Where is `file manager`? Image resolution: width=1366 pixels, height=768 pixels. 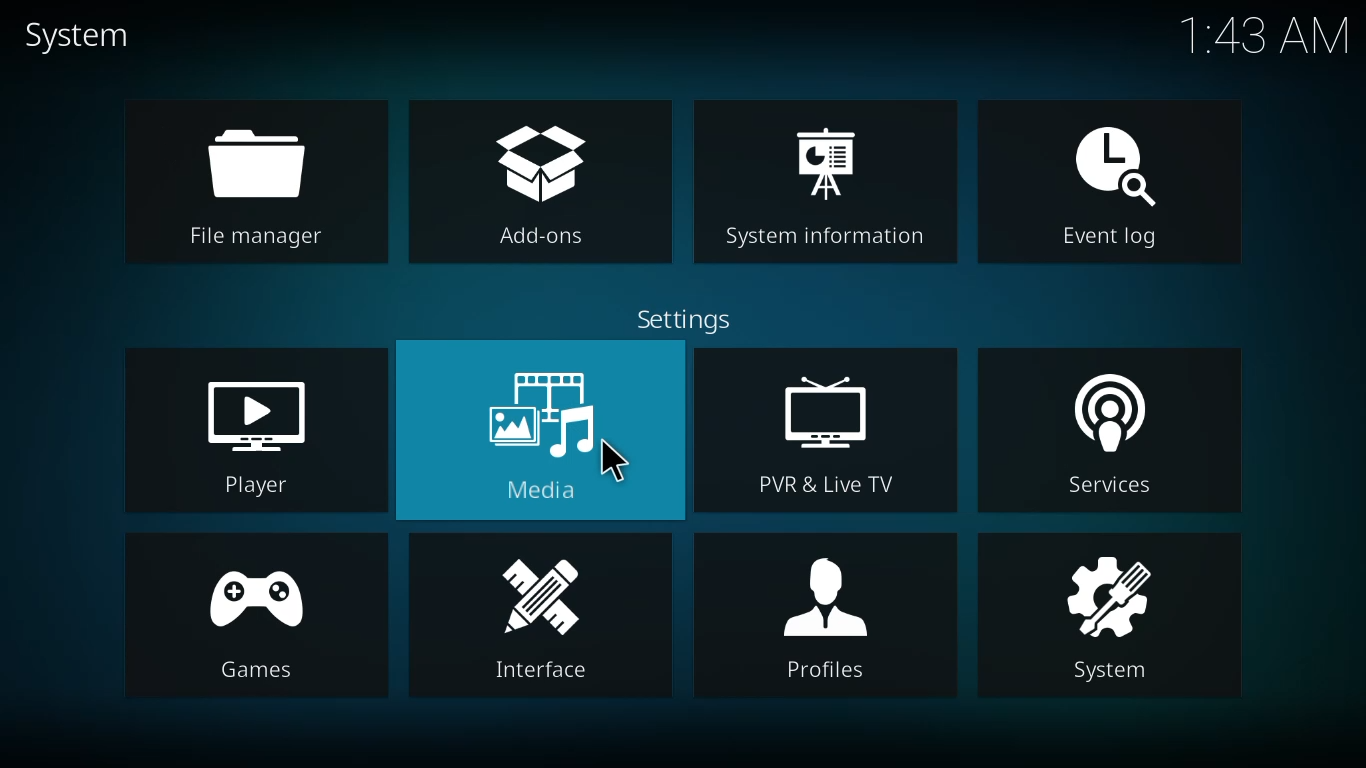
file manager is located at coordinates (256, 187).